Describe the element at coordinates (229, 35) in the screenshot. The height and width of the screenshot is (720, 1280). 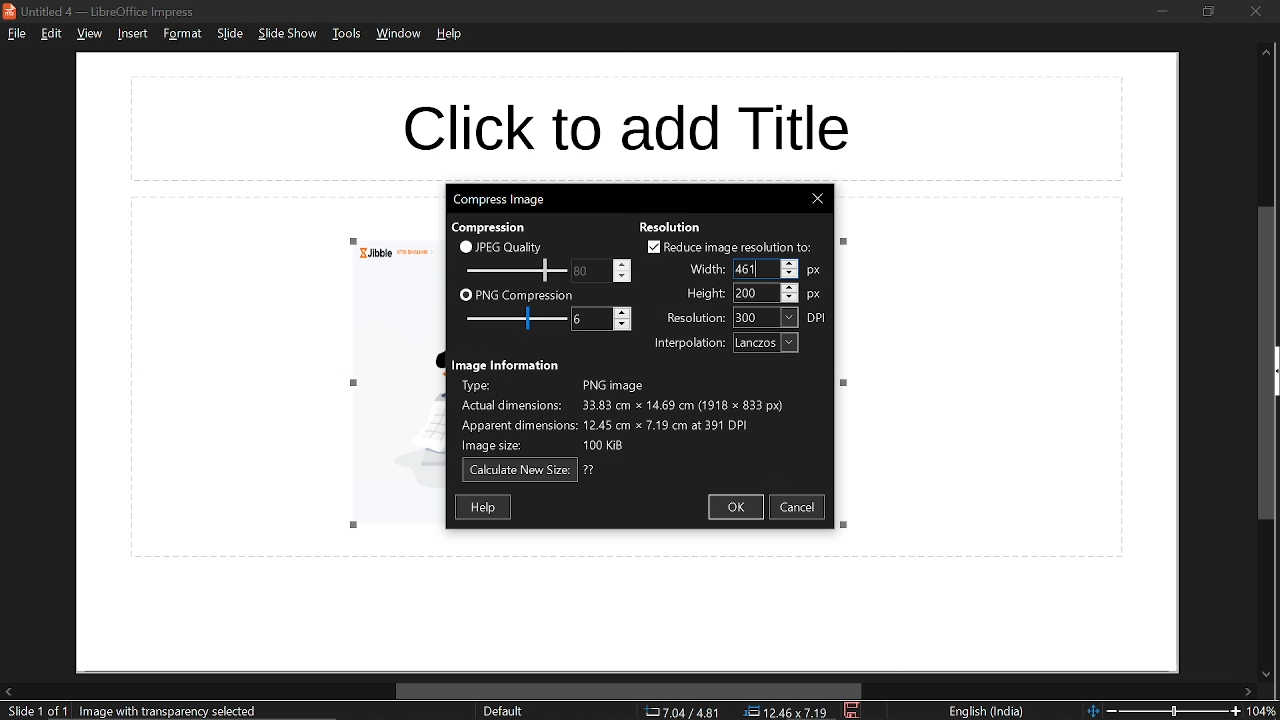
I see `slide` at that location.